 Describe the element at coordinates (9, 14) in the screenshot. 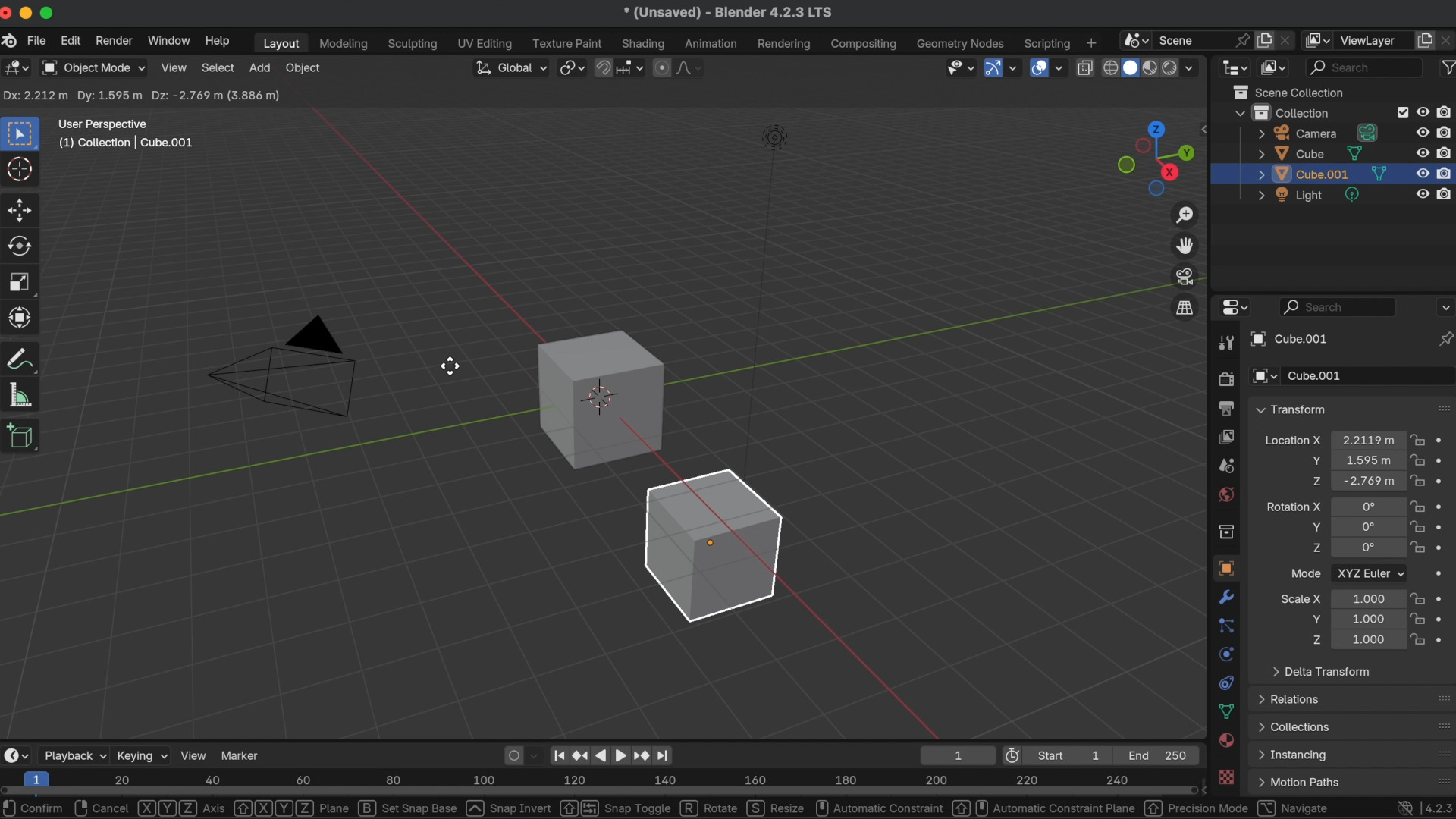

I see `close` at that location.